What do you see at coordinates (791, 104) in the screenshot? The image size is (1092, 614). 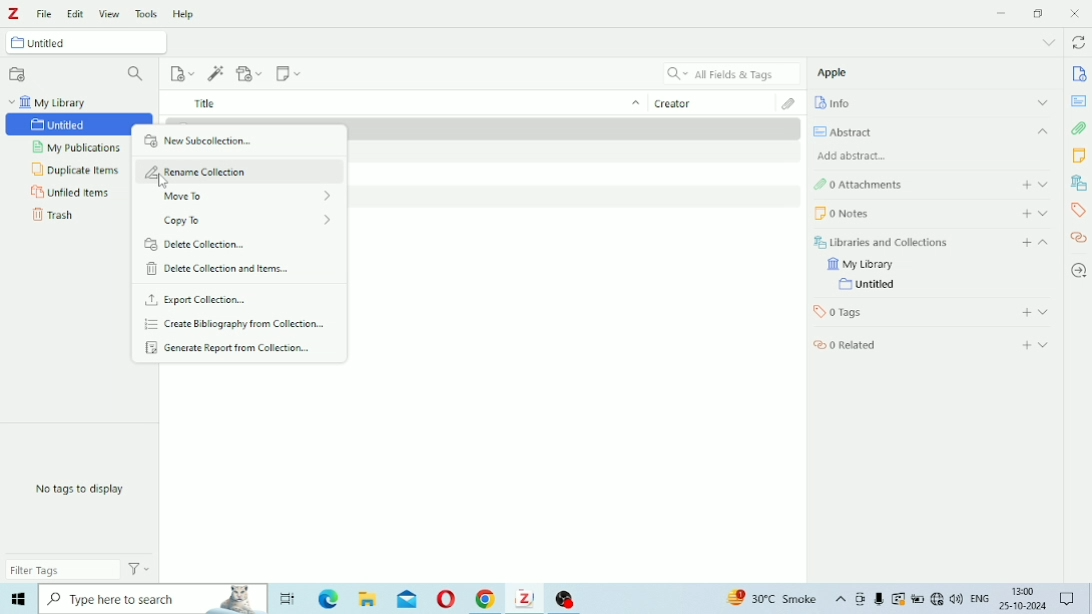 I see `Attachments` at bounding box center [791, 104].